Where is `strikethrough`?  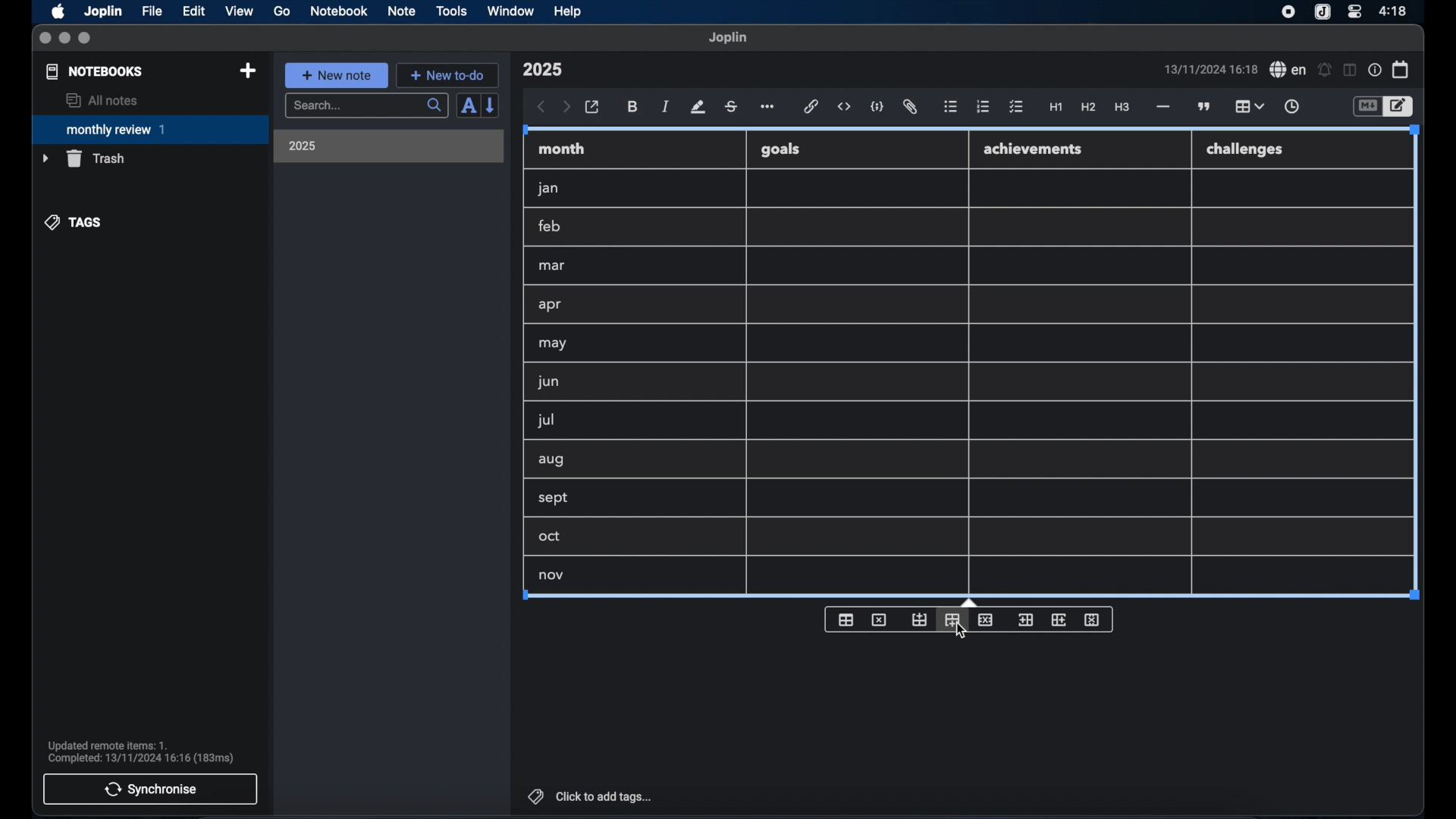 strikethrough is located at coordinates (730, 107).